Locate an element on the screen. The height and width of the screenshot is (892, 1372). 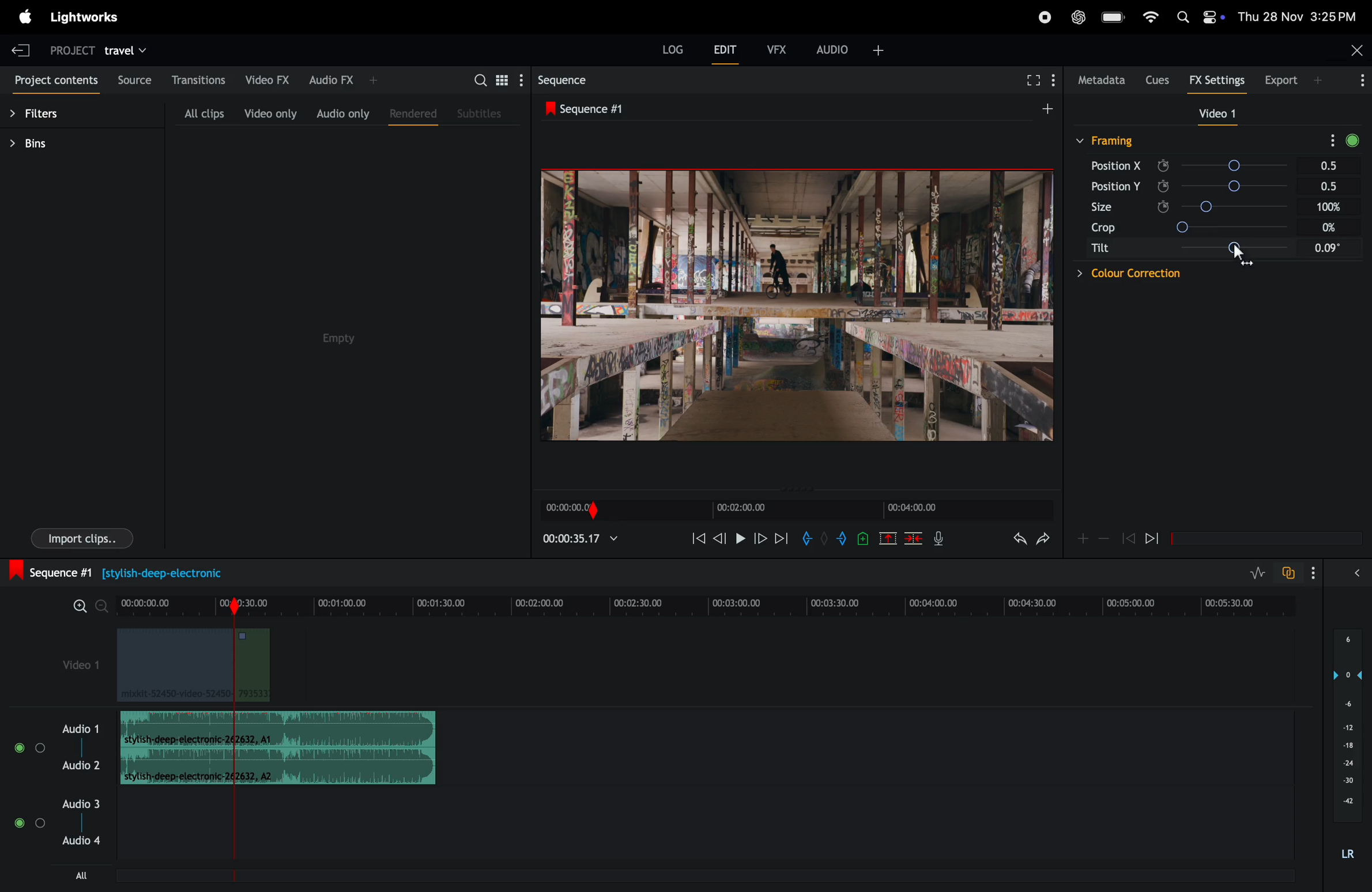
time frame is located at coordinates (579, 538).